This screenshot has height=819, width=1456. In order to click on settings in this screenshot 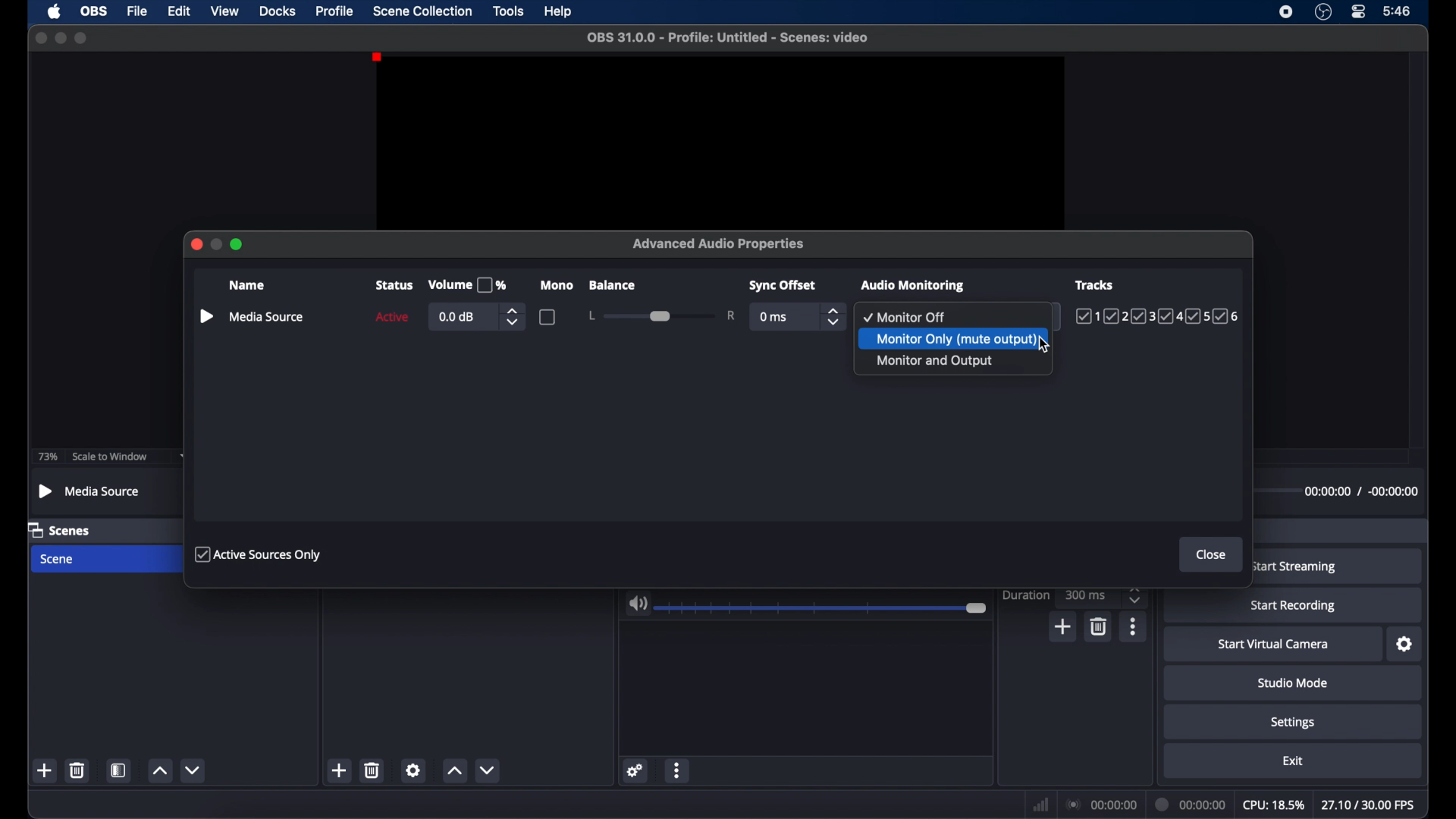, I will do `click(1405, 645)`.